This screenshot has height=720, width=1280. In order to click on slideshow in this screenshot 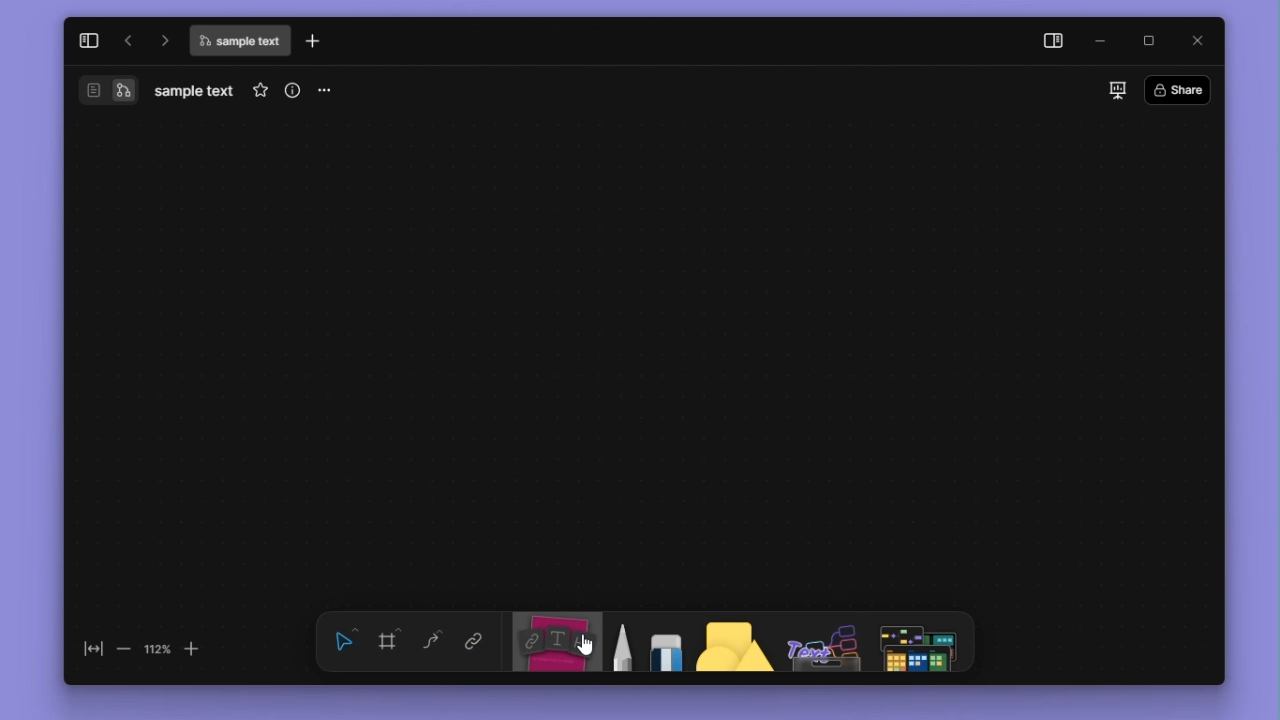, I will do `click(1118, 90)`.